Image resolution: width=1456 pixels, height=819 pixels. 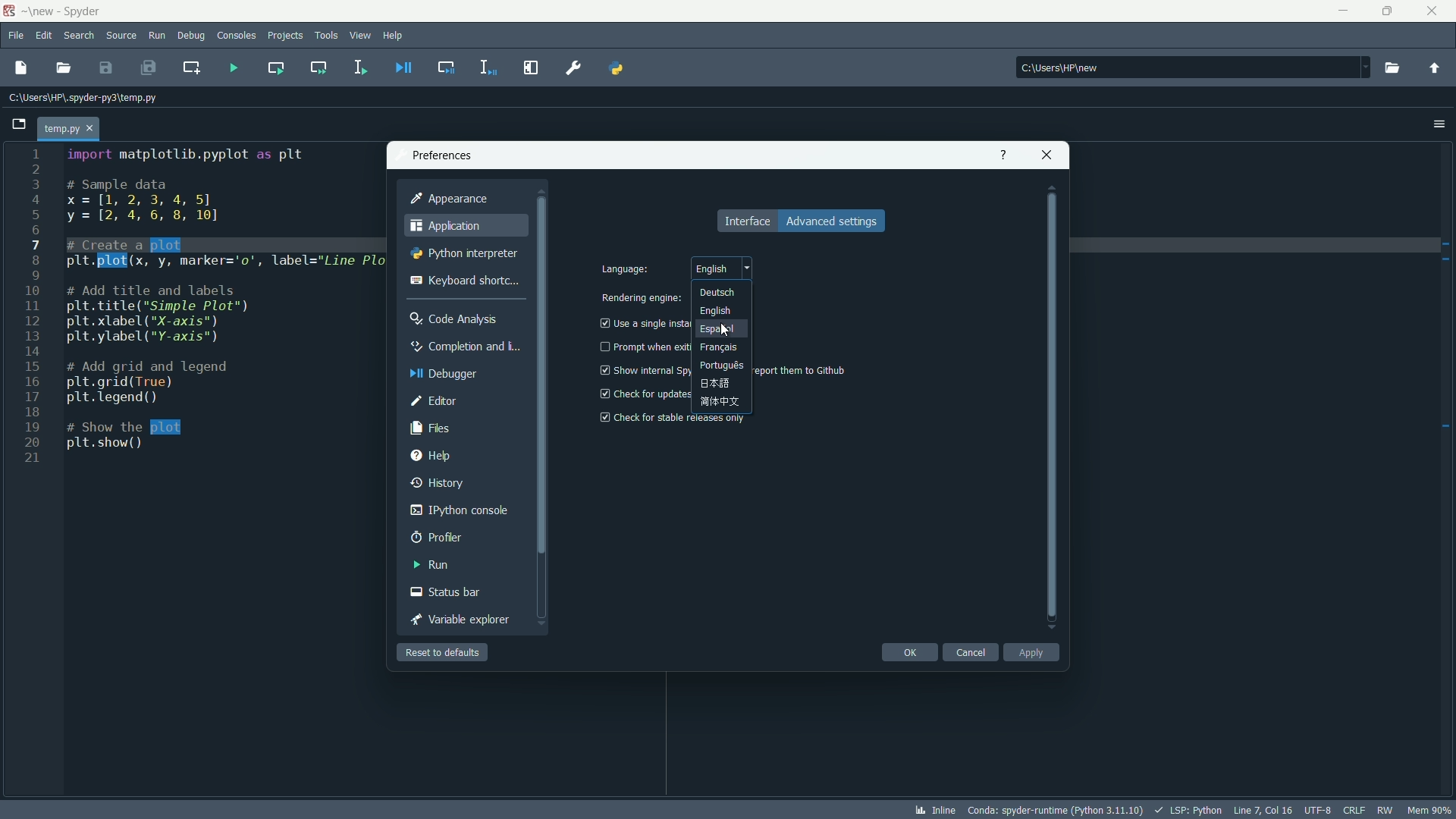 What do you see at coordinates (430, 428) in the screenshot?
I see `files` at bounding box center [430, 428].